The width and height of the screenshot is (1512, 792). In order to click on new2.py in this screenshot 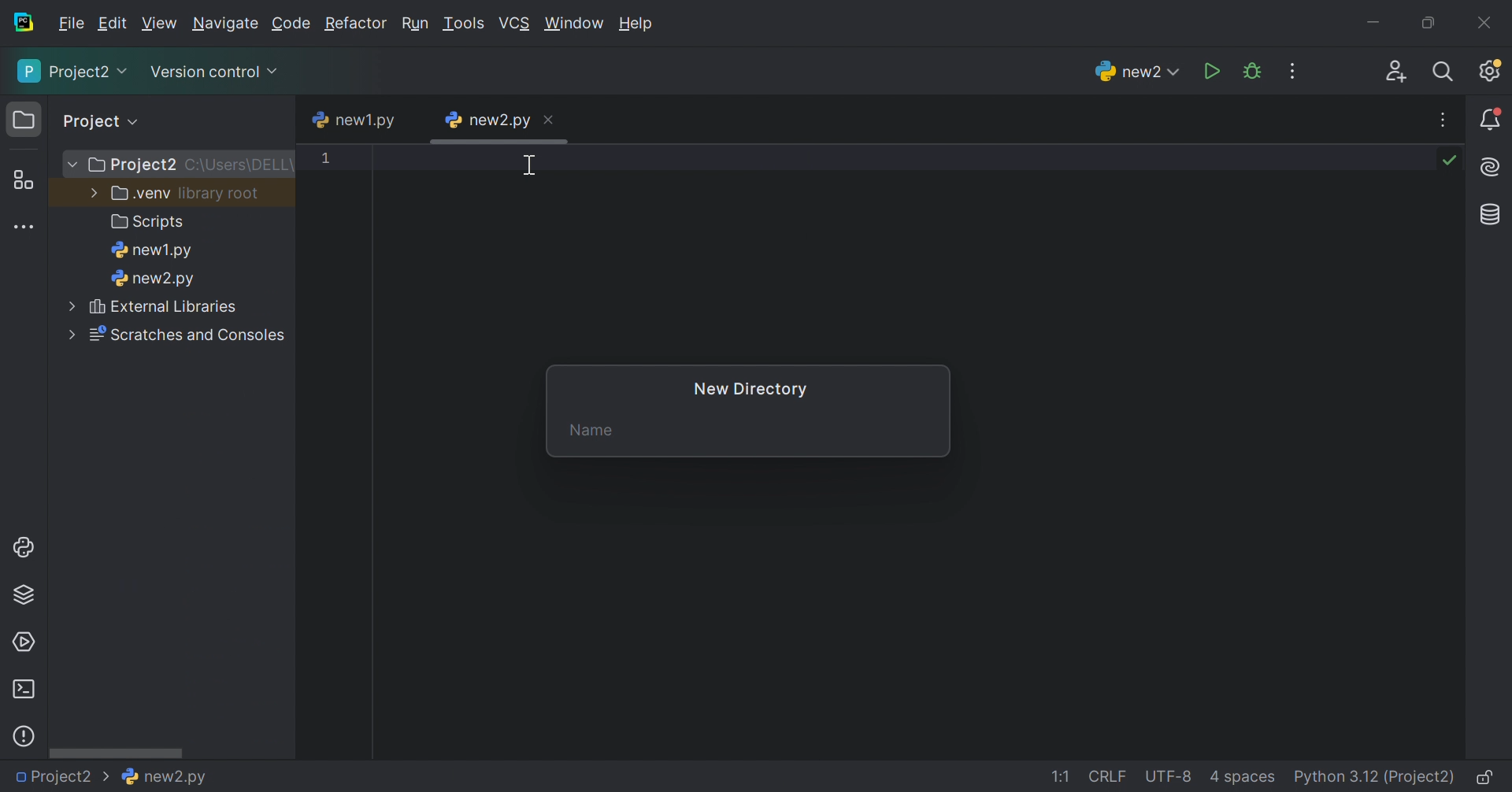, I will do `click(486, 121)`.